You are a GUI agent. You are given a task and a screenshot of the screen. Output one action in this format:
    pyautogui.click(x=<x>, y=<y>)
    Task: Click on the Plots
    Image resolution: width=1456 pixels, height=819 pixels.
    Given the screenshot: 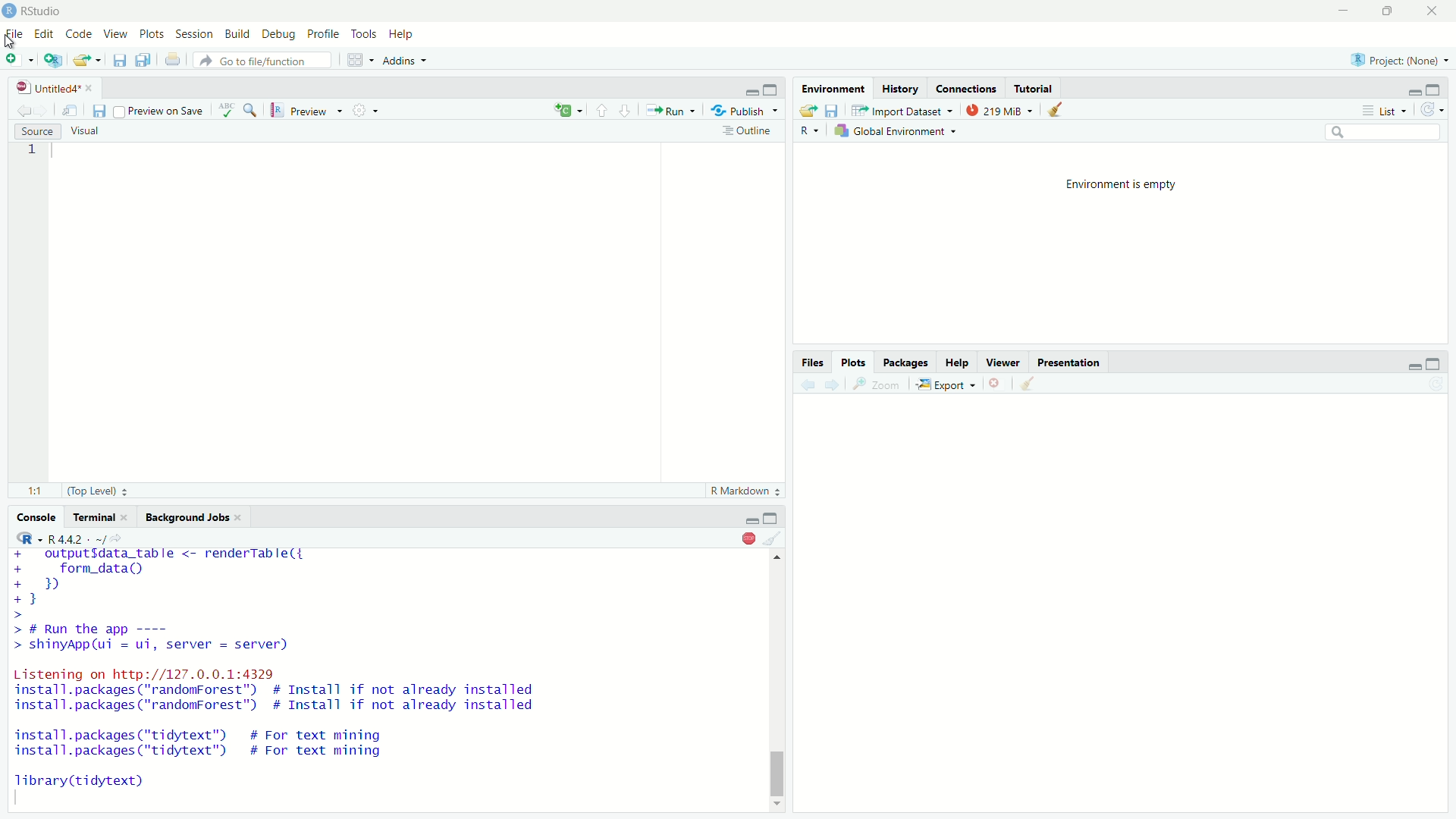 What is the action you would take?
    pyautogui.click(x=152, y=34)
    